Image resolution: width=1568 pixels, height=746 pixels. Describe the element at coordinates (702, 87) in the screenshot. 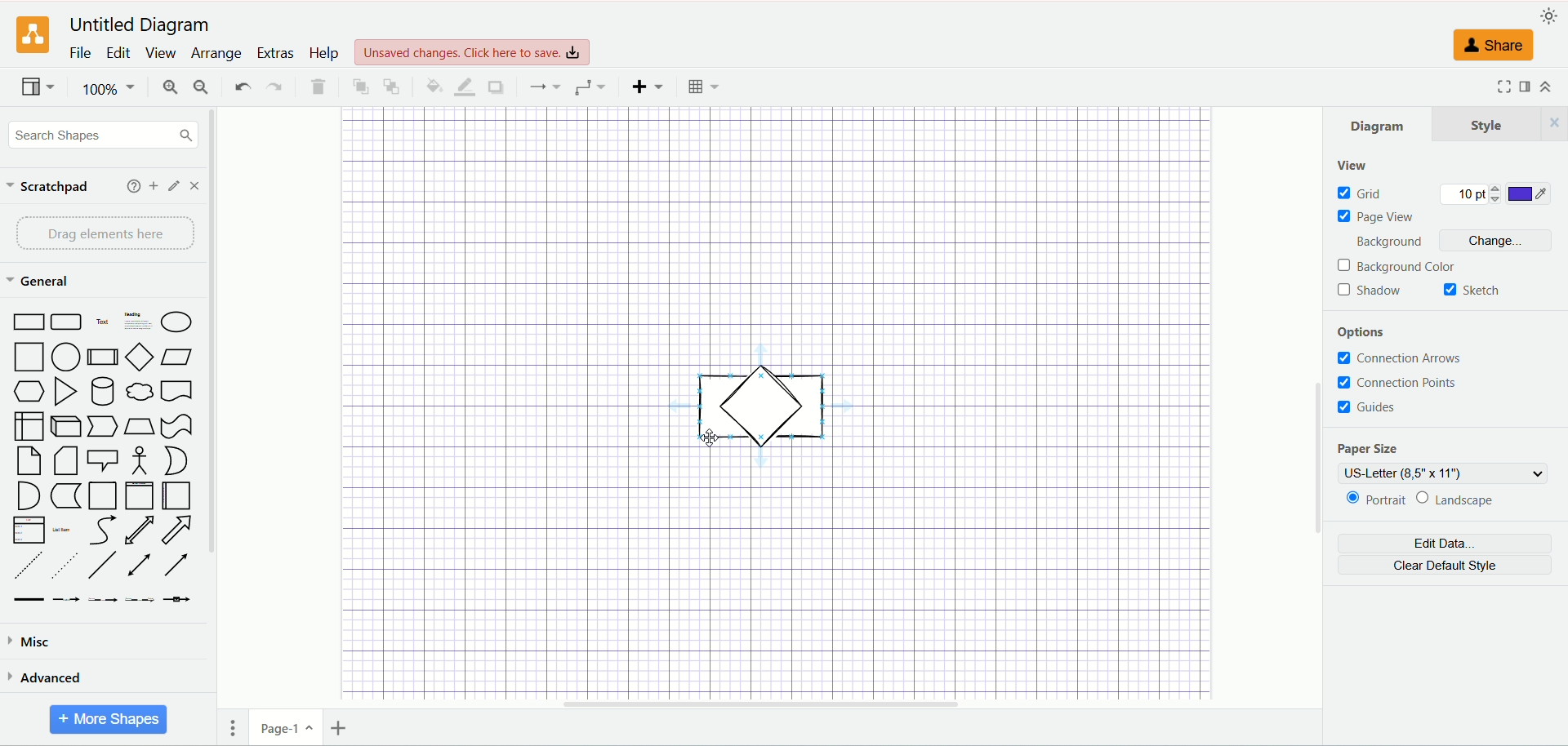

I see `Table` at that location.